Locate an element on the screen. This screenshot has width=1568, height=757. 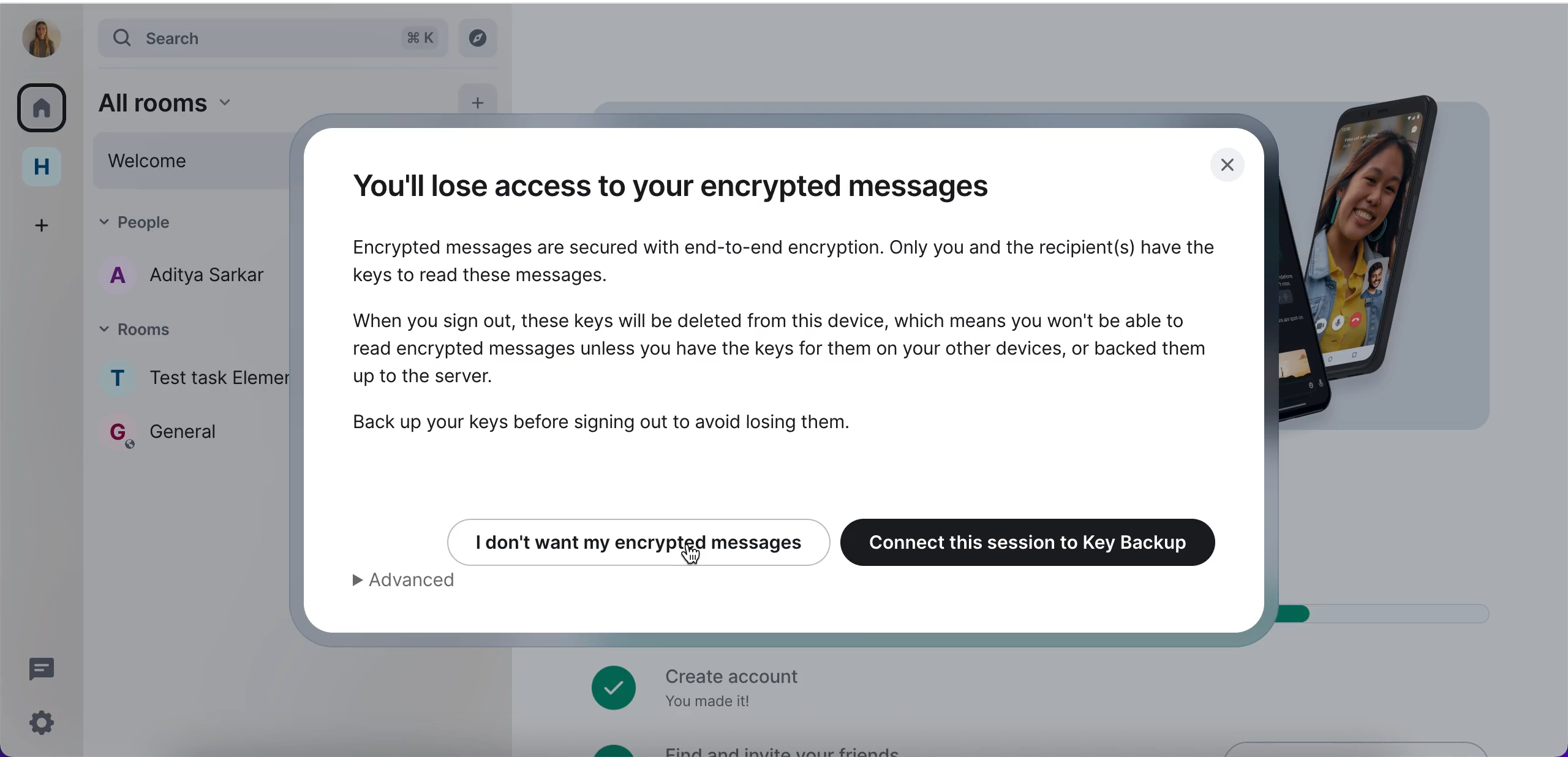
a aditya sarkar is located at coordinates (184, 277).